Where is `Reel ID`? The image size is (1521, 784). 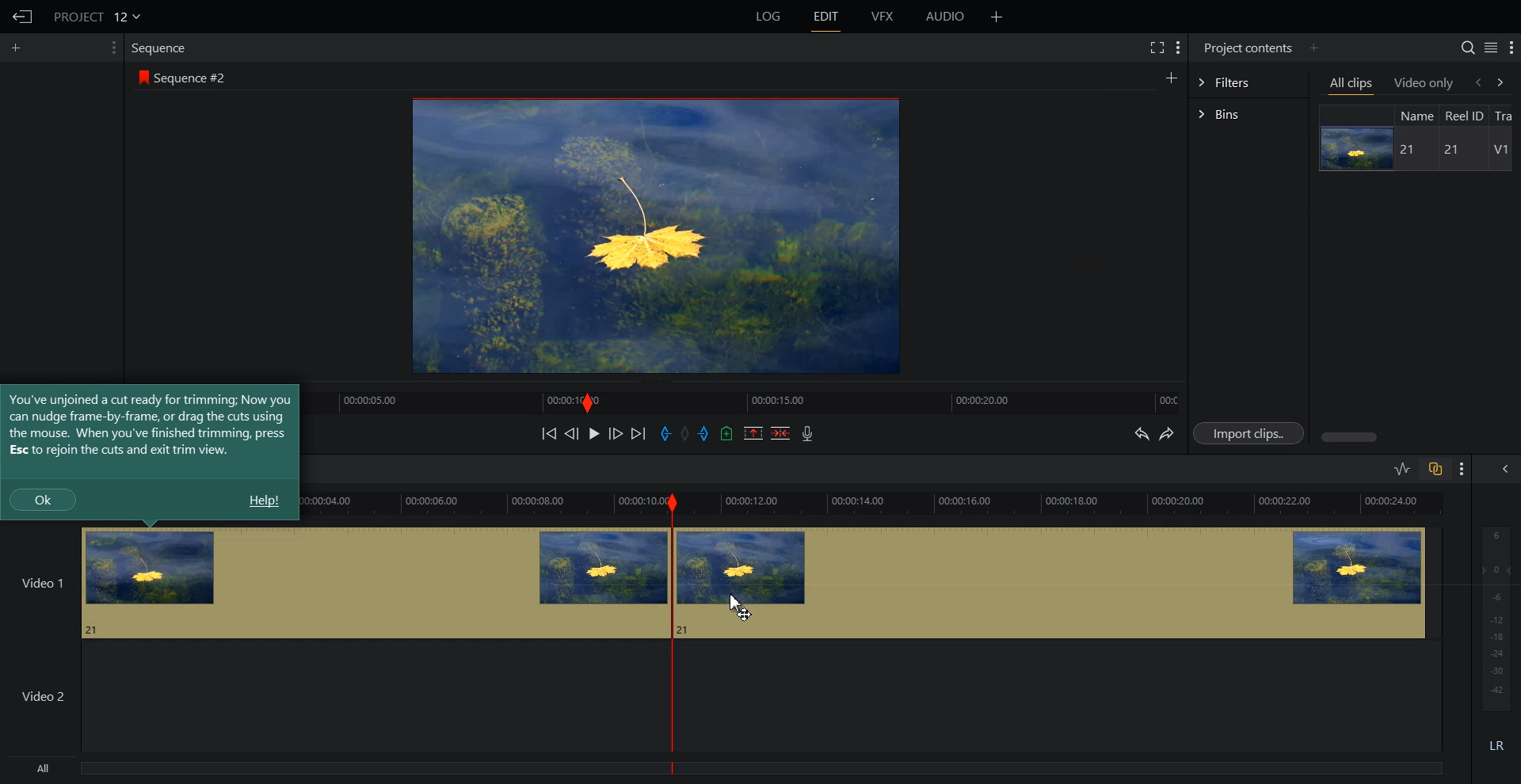
Reel ID is located at coordinates (1464, 116).